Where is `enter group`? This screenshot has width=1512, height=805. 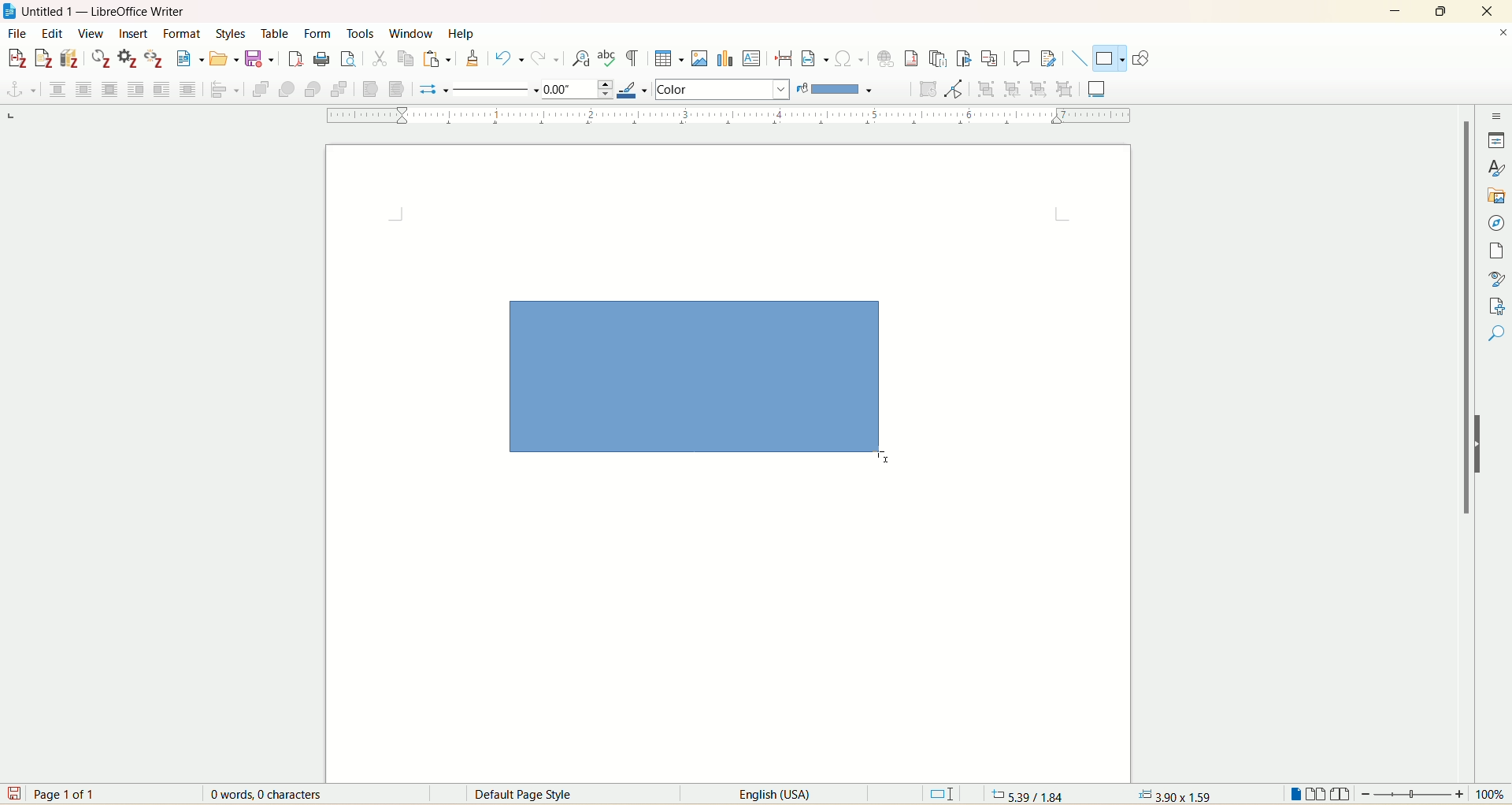 enter group is located at coordinates (1016, 88).